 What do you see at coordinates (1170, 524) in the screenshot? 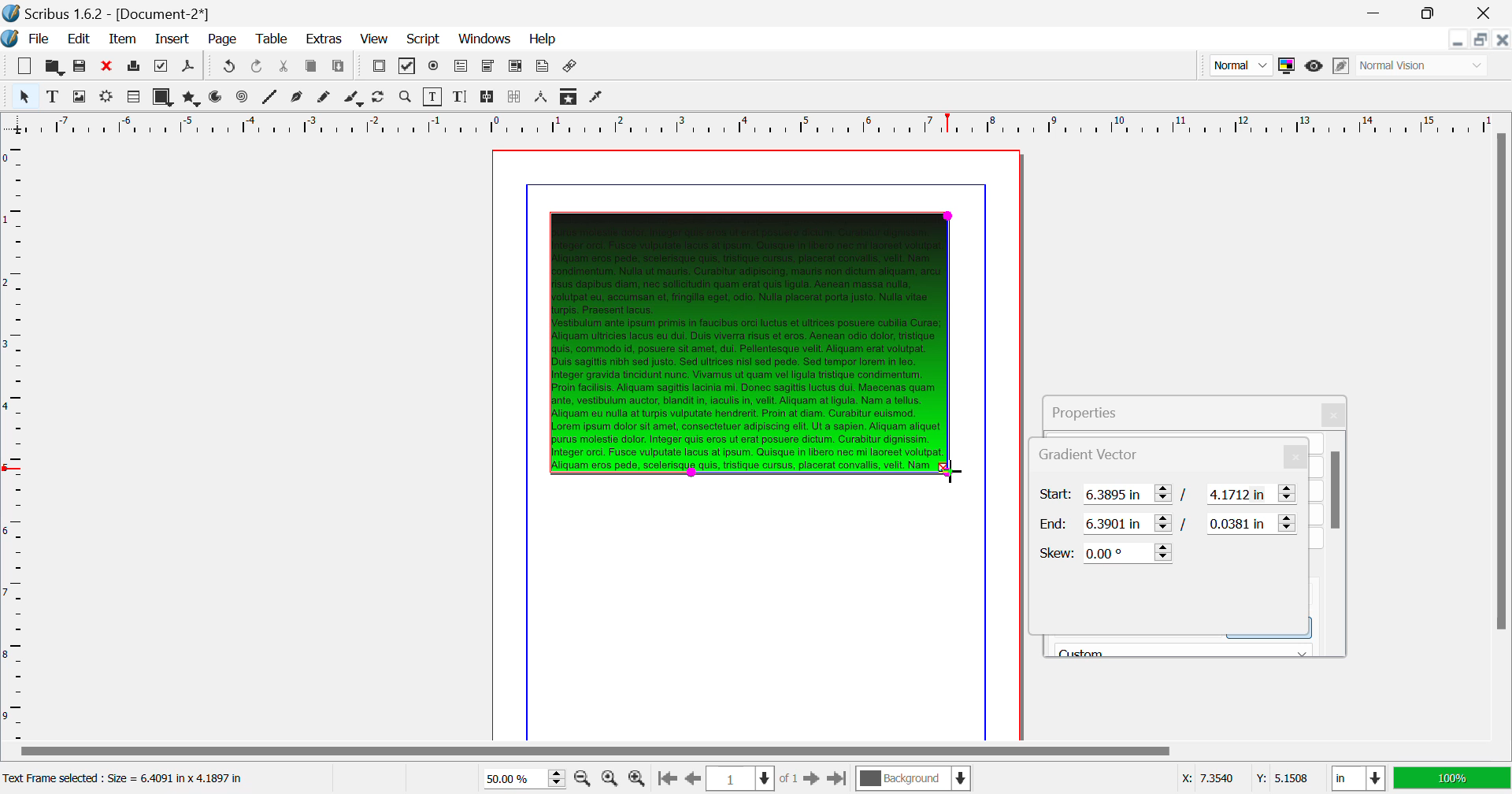
I see `Gradient Vector End` at bounding box center [1170, 524].